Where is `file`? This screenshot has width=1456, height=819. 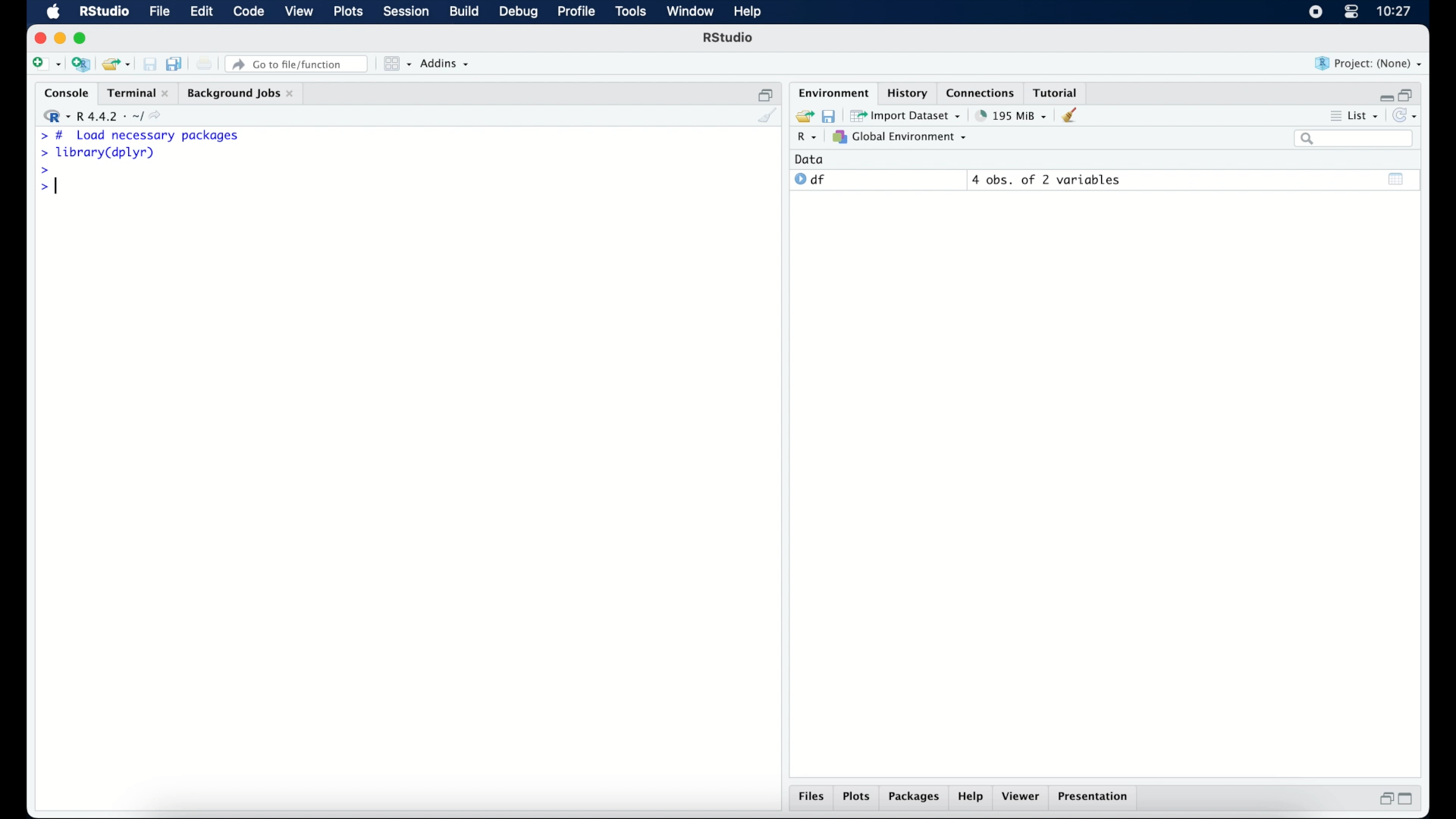
file is located at coordinates (158, 12).